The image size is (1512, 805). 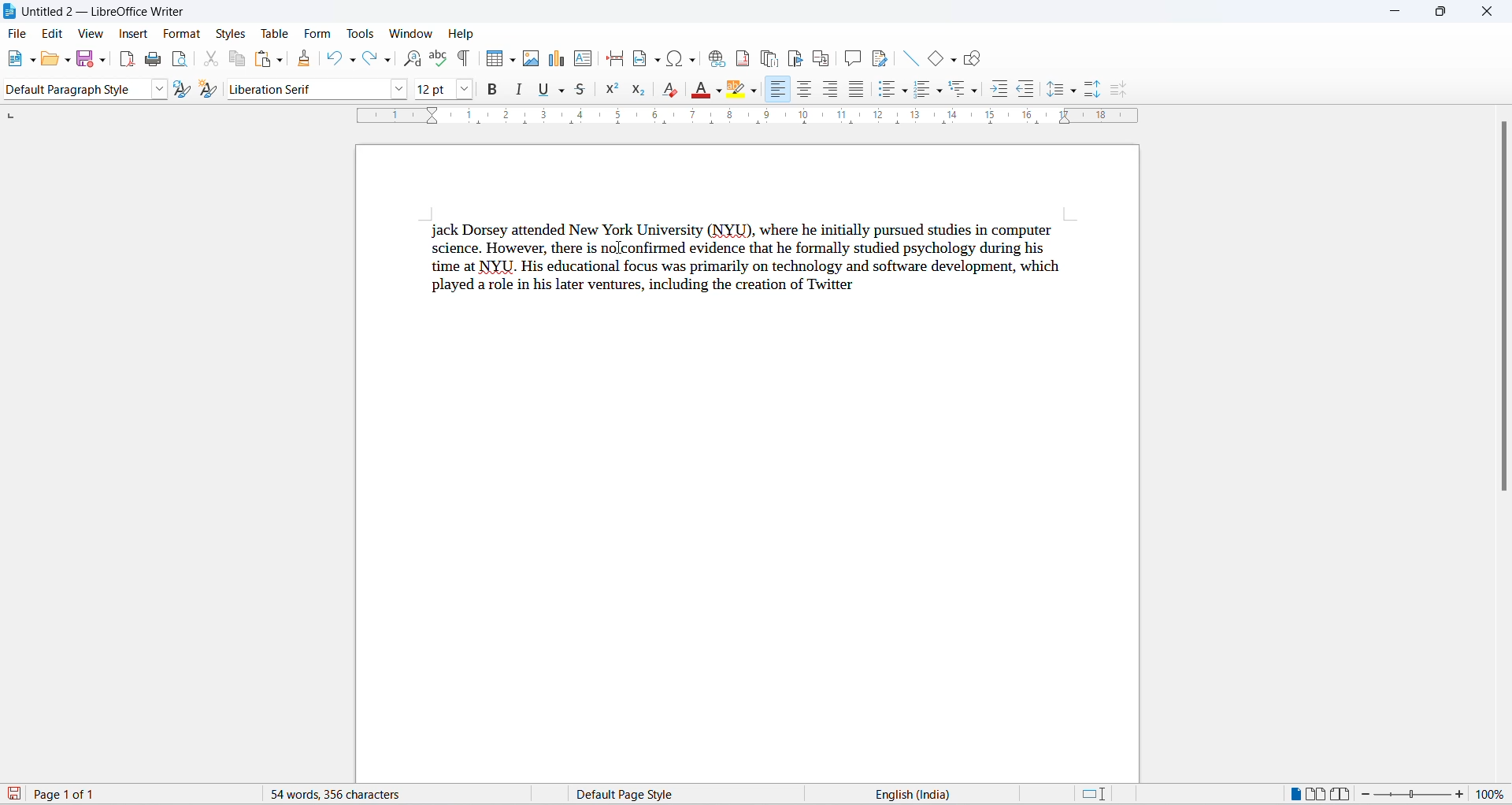 What do you see at coordinates (85, 61) in the screenshot?
I see `save` at bounding box center [85, 61].